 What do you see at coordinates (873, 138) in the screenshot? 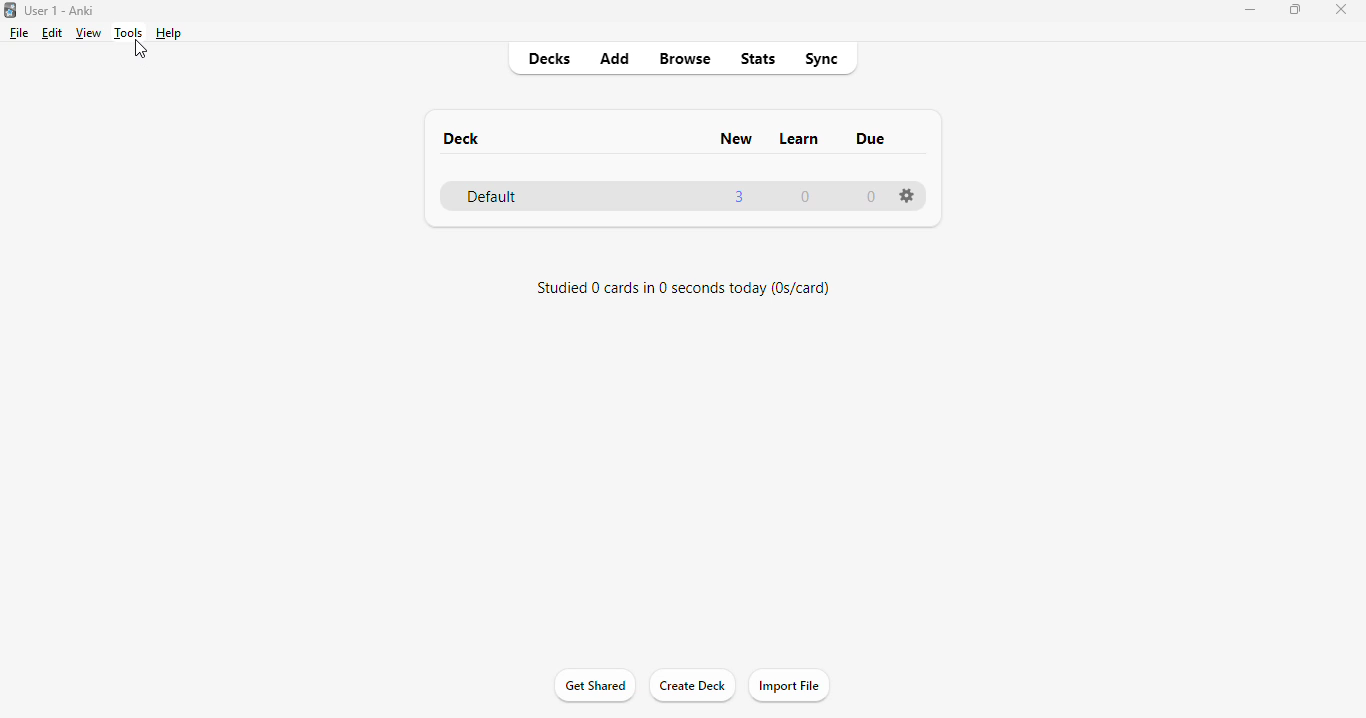
I see `due` at bounding box center [873, 138].